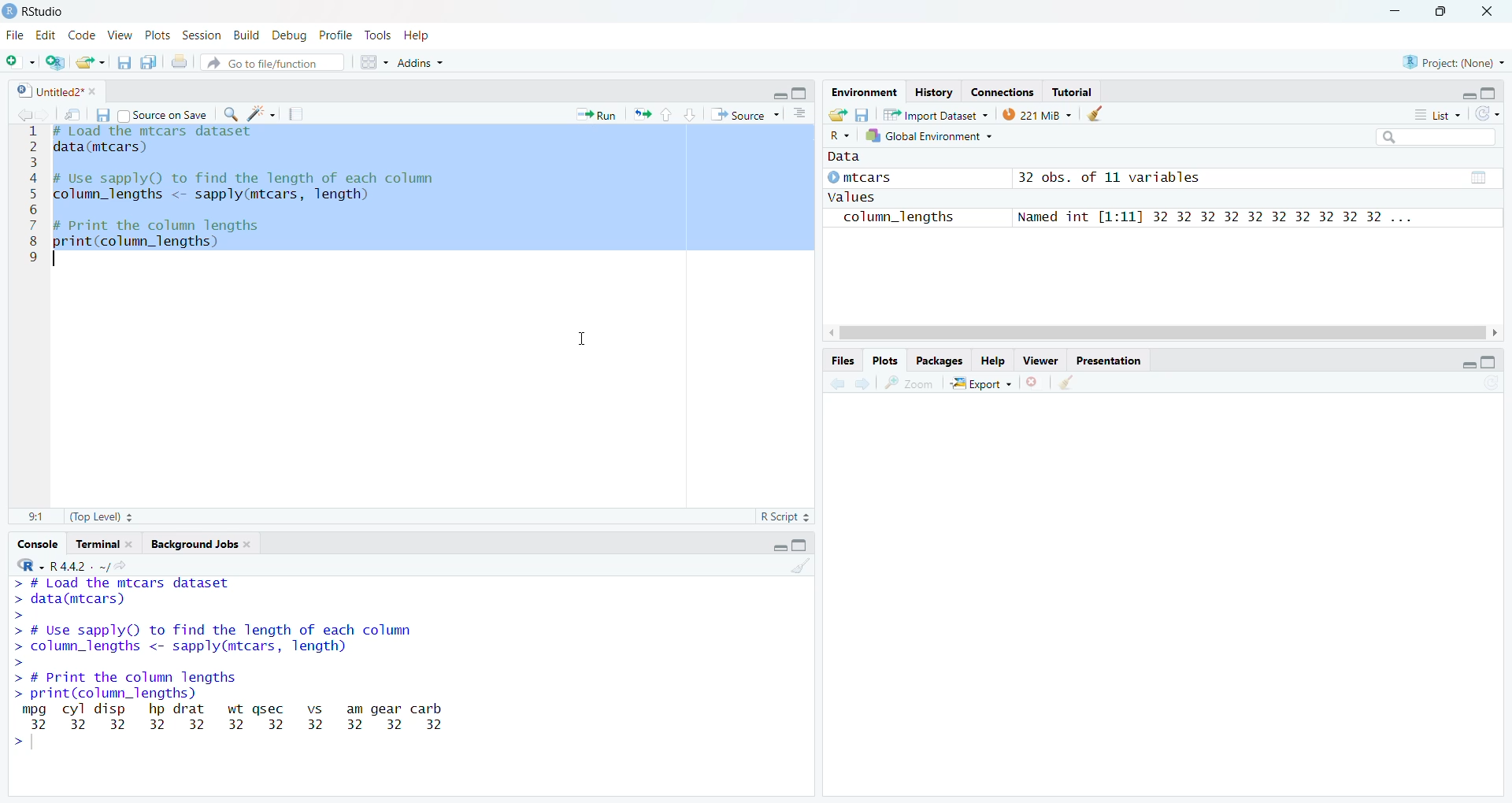 The height and width of the screenshot is (803, 1512). I want to click on Scroll, so click(1162, 333).